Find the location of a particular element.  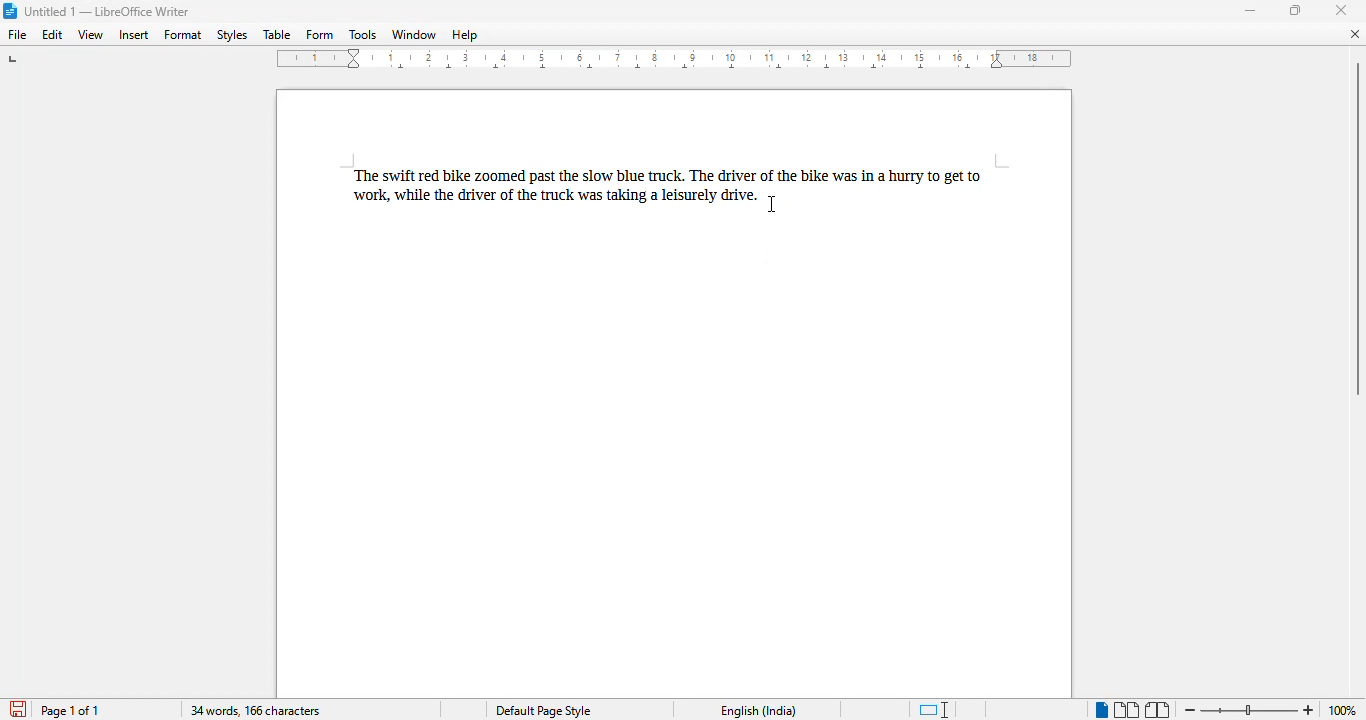

tools is located at coordinates (364, 35).